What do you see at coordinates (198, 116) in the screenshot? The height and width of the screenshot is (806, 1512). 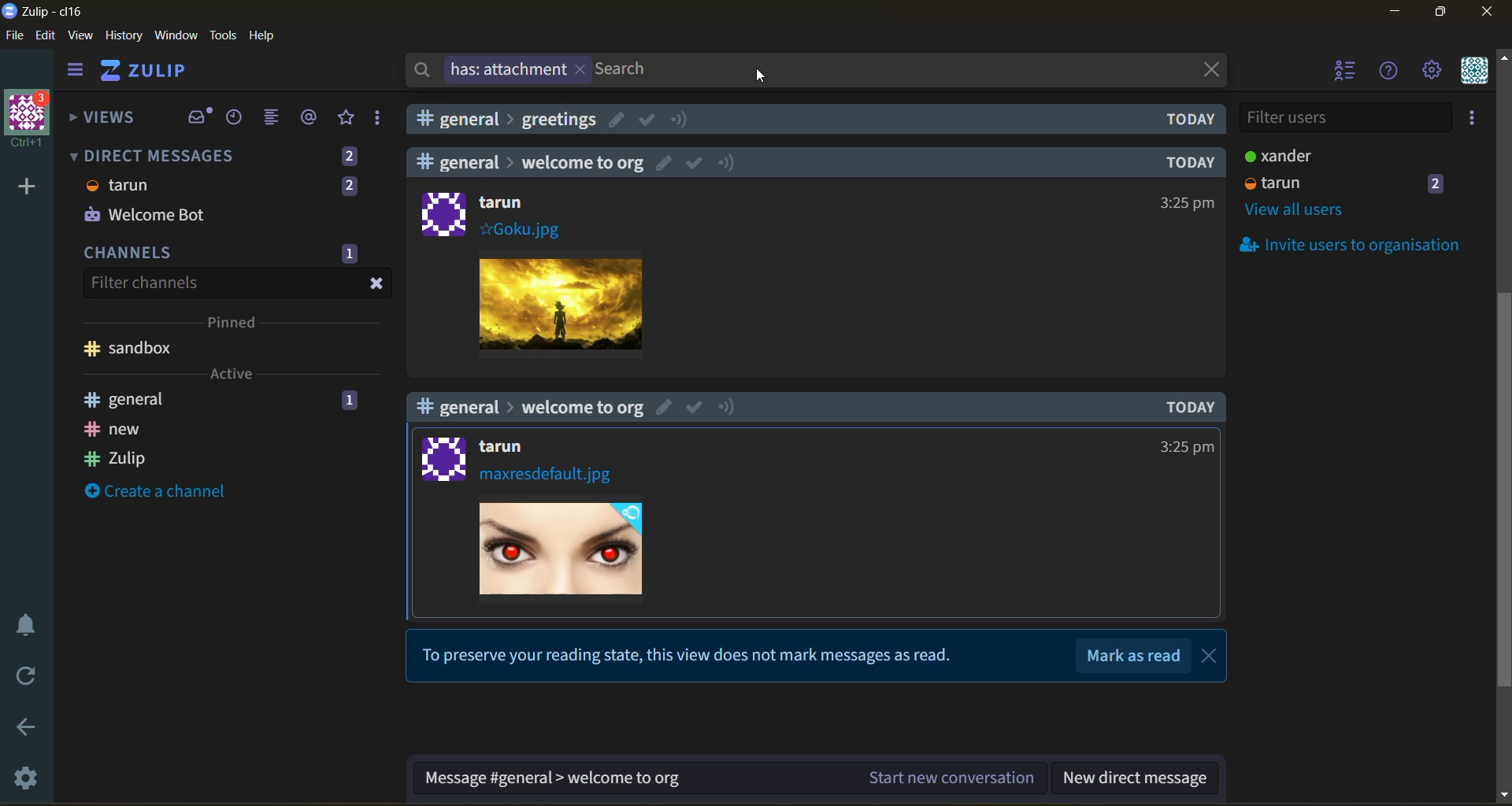 I see `inbox` at bounding box center [198, 116].